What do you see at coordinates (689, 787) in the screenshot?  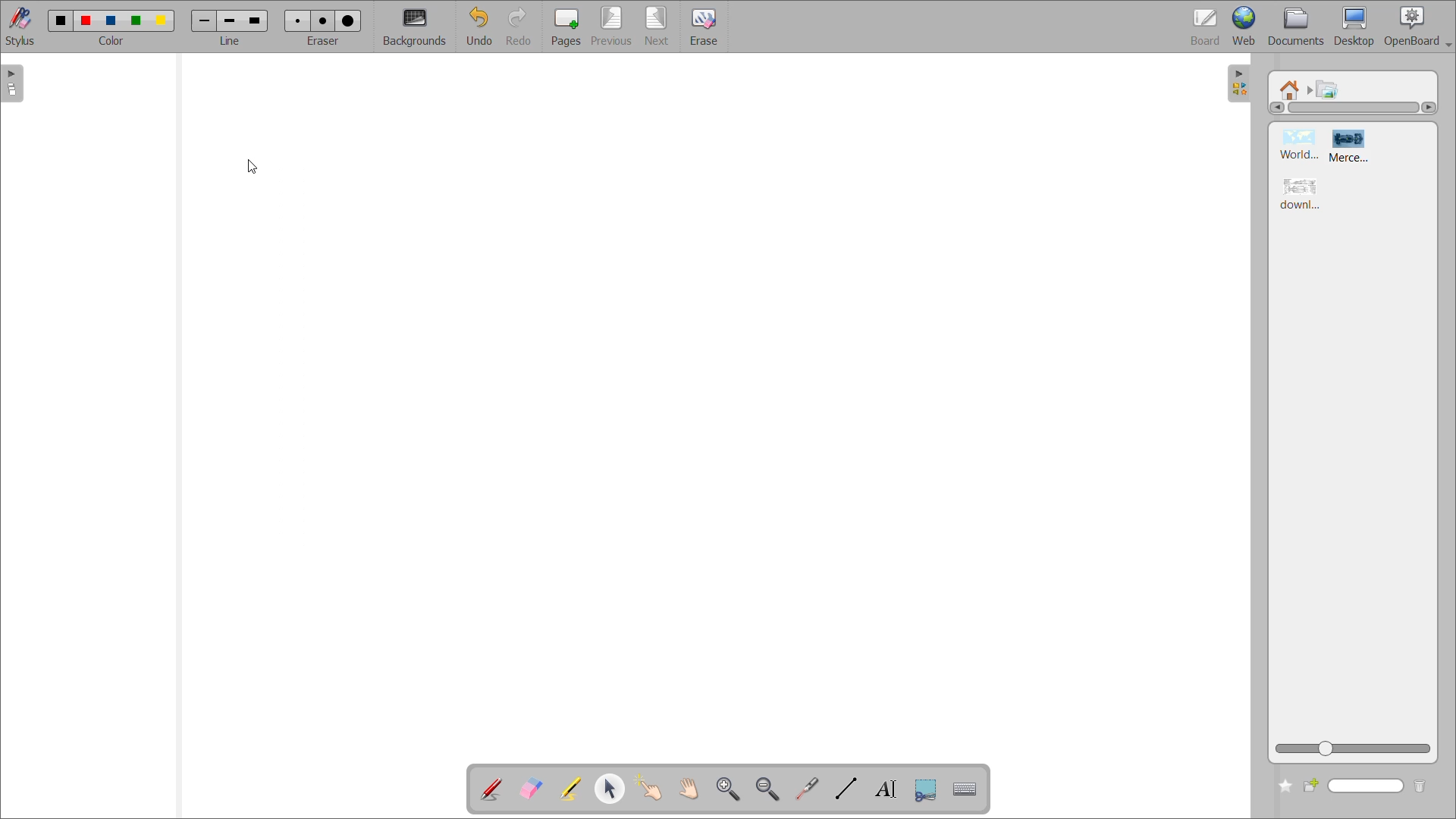 I see `scroll page` at bounding box center [689, 787].